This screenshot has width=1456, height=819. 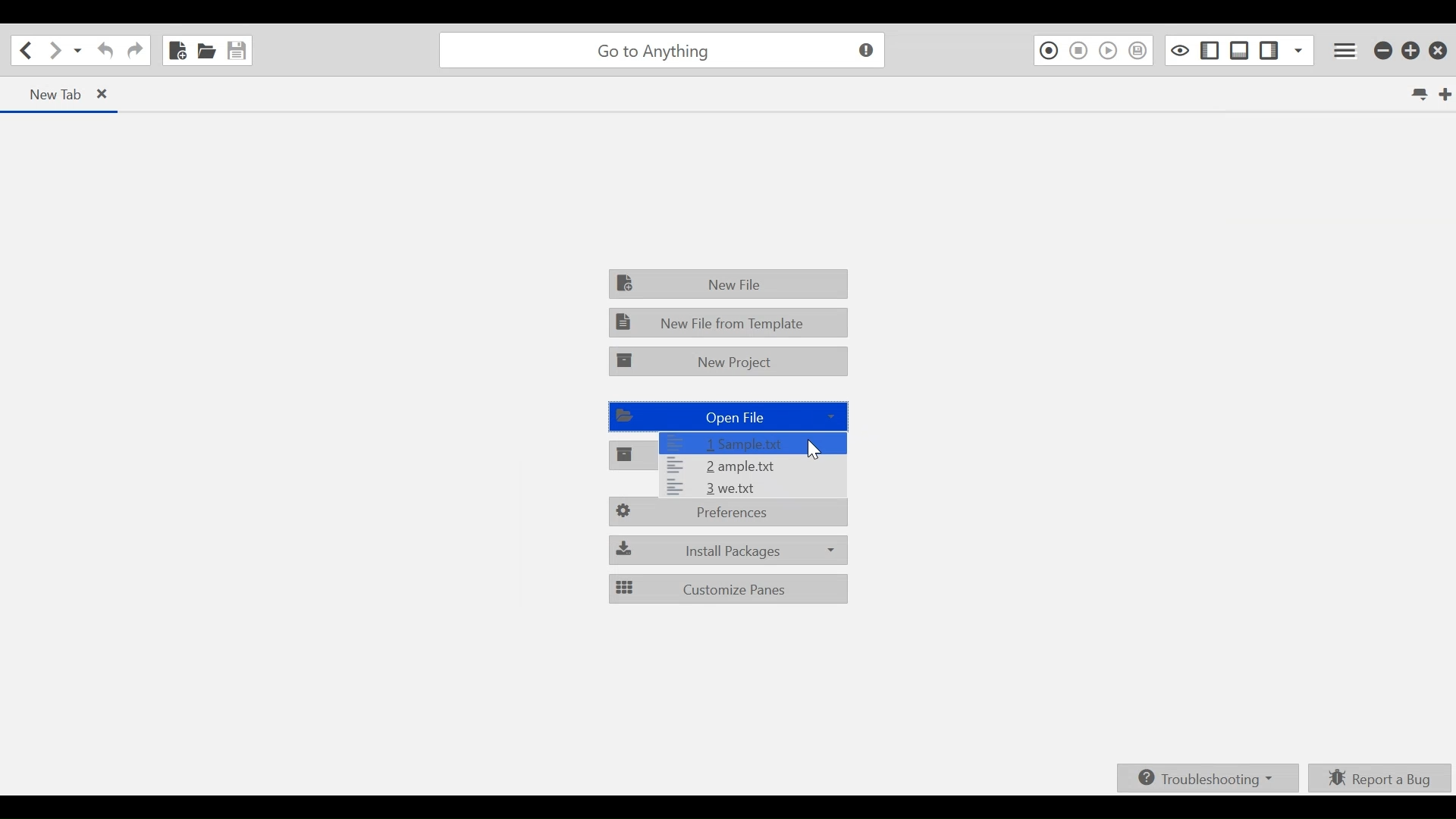 What do you see at coordinates (1382, 779) in the screenshot?
I see `Report a bug` at bounding box center [1382, 779].